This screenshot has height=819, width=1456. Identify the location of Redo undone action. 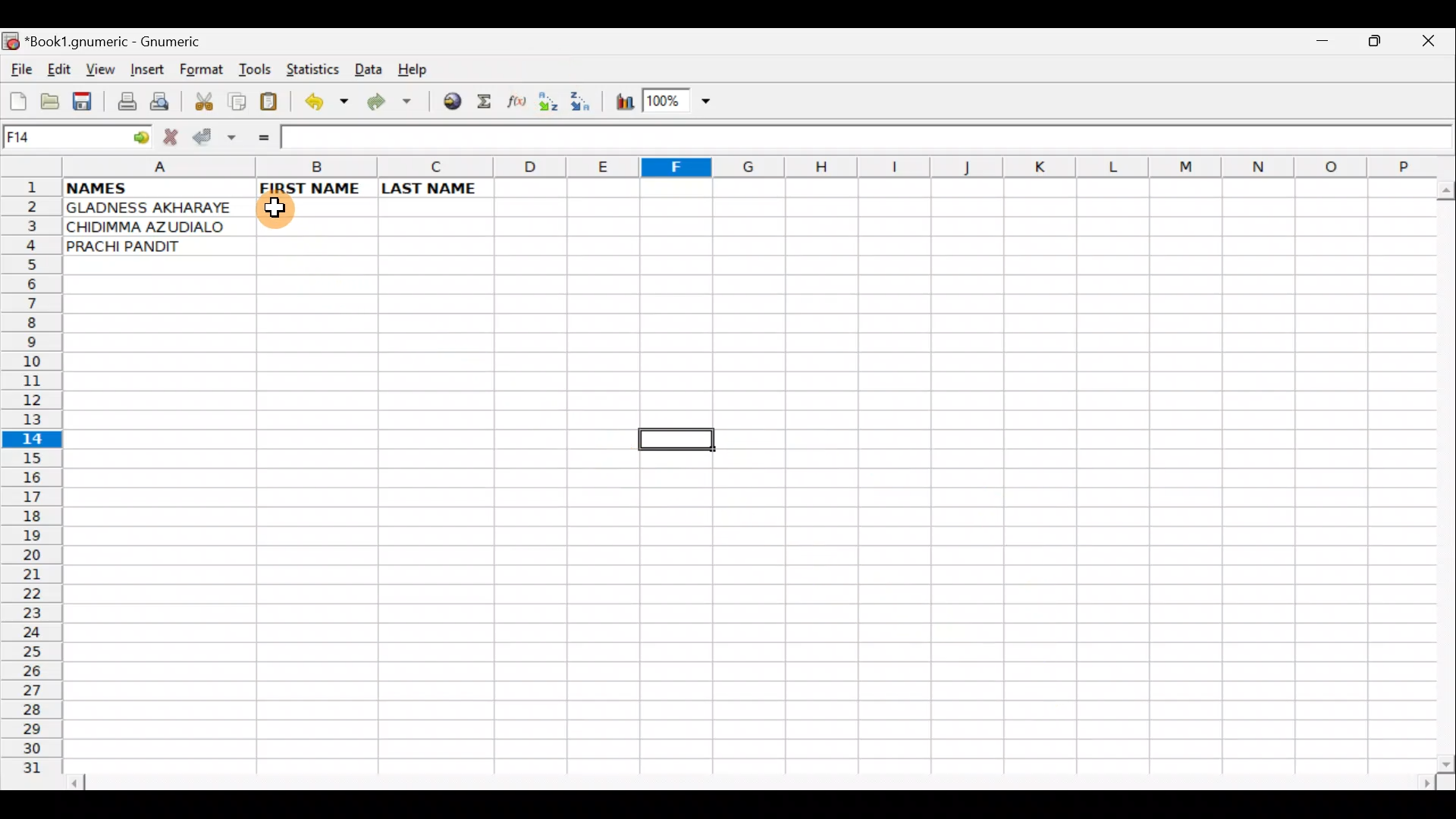
(393, 104).